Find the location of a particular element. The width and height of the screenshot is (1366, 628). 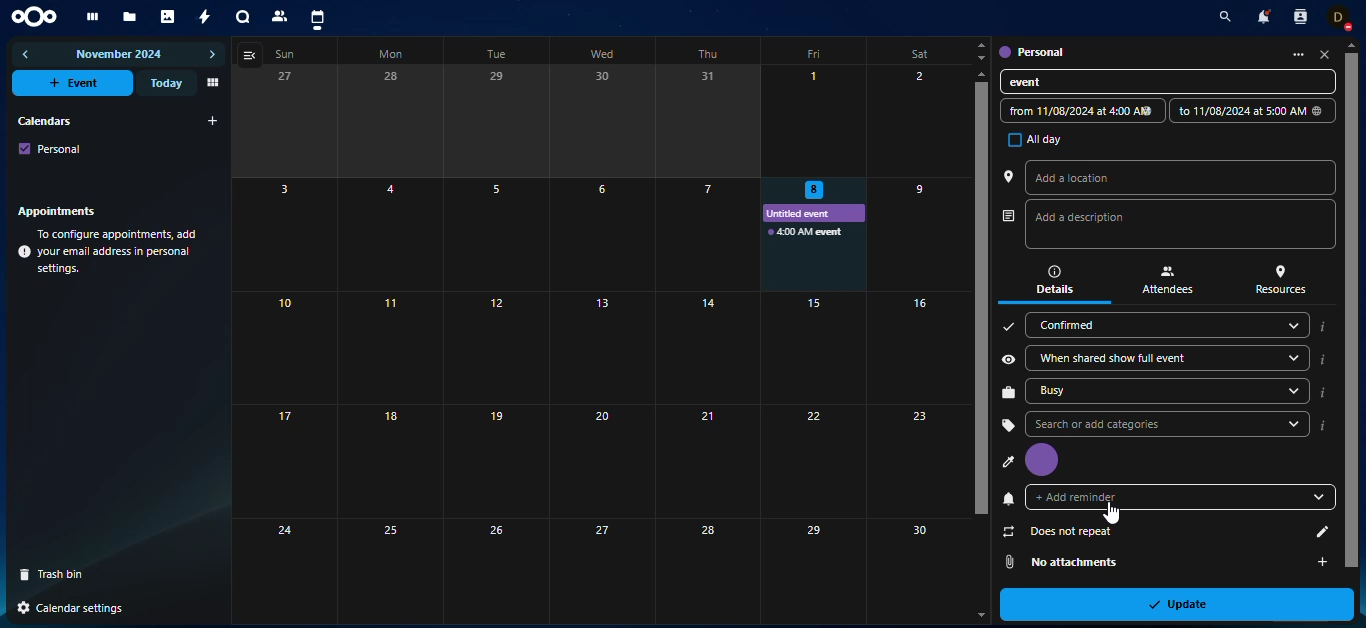

27 is located at coordinates (602, 570).